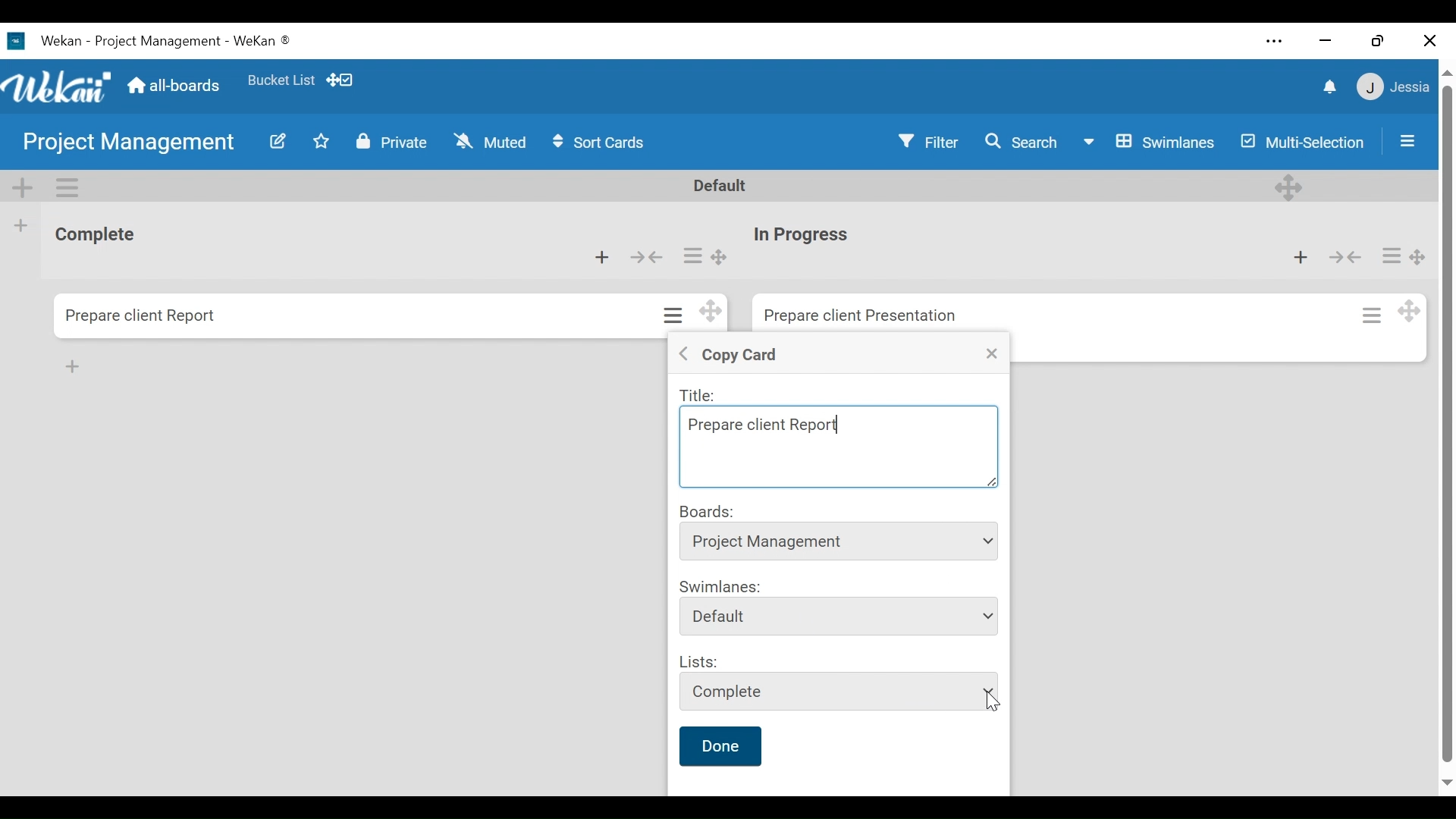  Describe the element at coordinates (682, 353) in the screenshot. I see `Back` at that location.